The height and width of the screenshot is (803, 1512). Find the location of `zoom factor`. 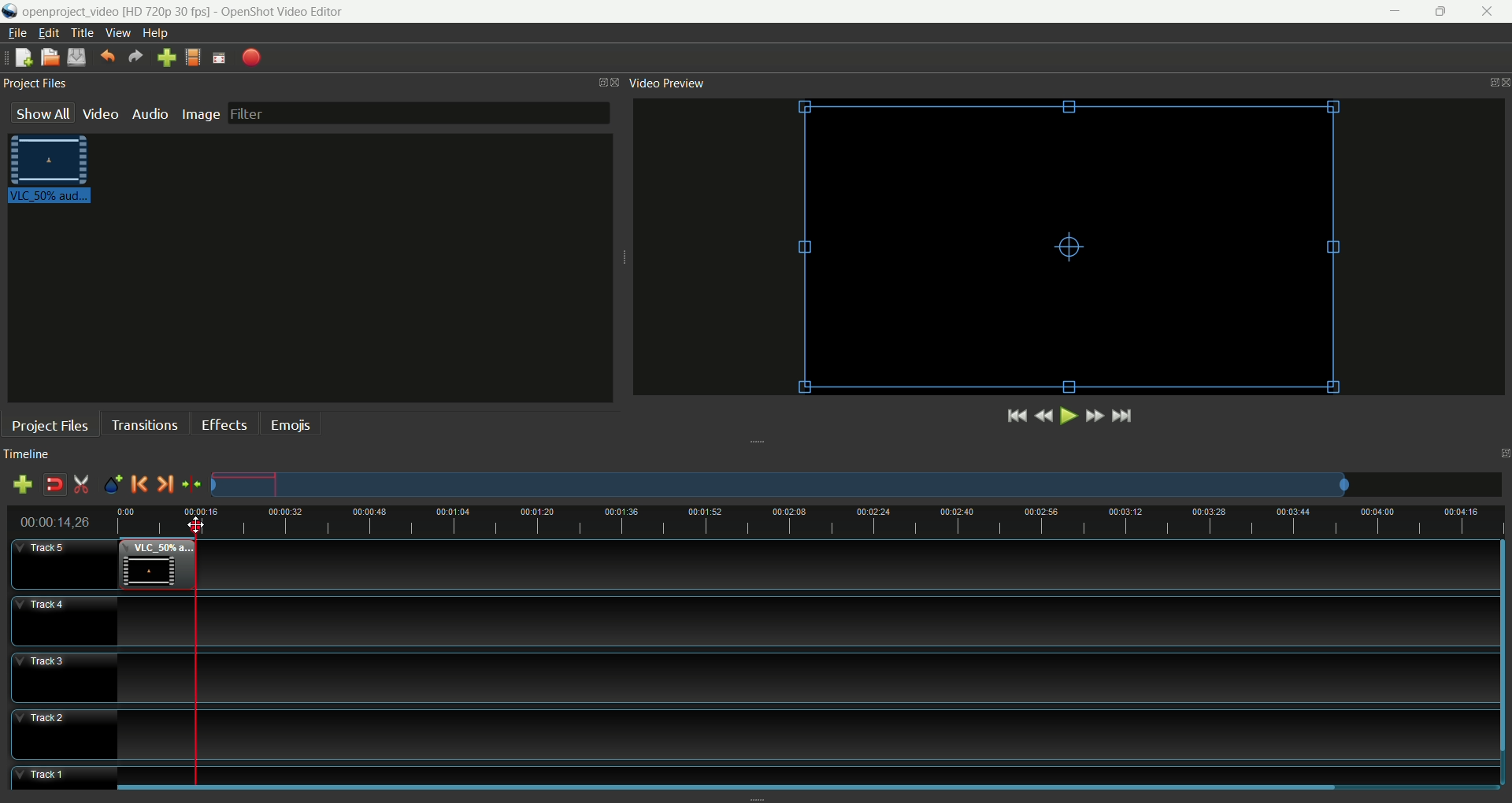

zoom factor is located at coordinates (857, 485).